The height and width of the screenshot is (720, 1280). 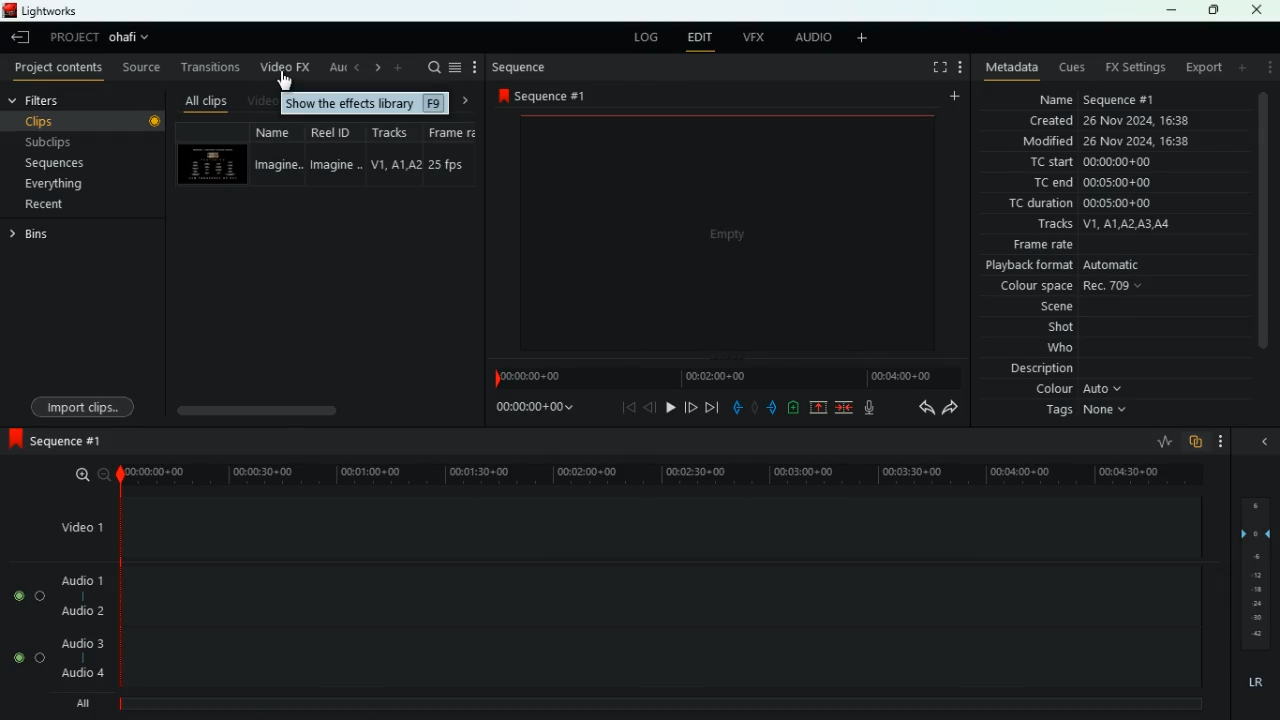 I want to click on description, so click(x=1040, y=371).